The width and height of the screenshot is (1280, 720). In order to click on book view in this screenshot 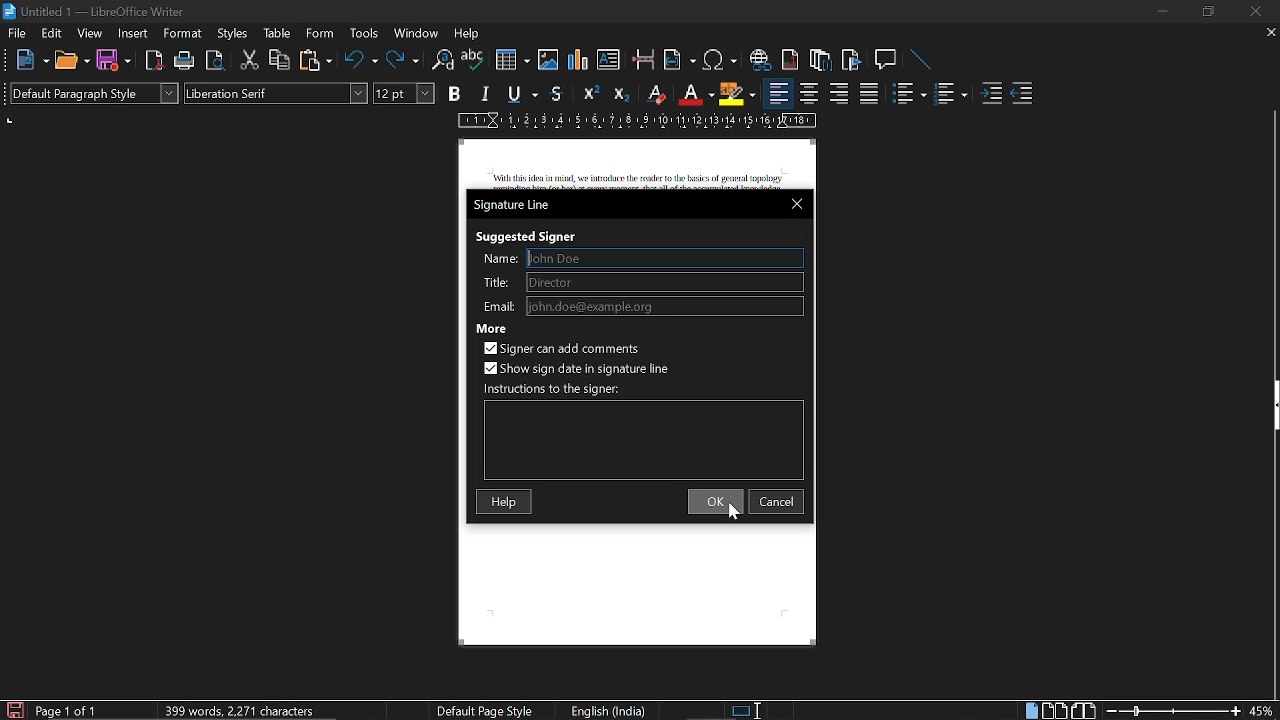, I will do `click(1083, 710)`.